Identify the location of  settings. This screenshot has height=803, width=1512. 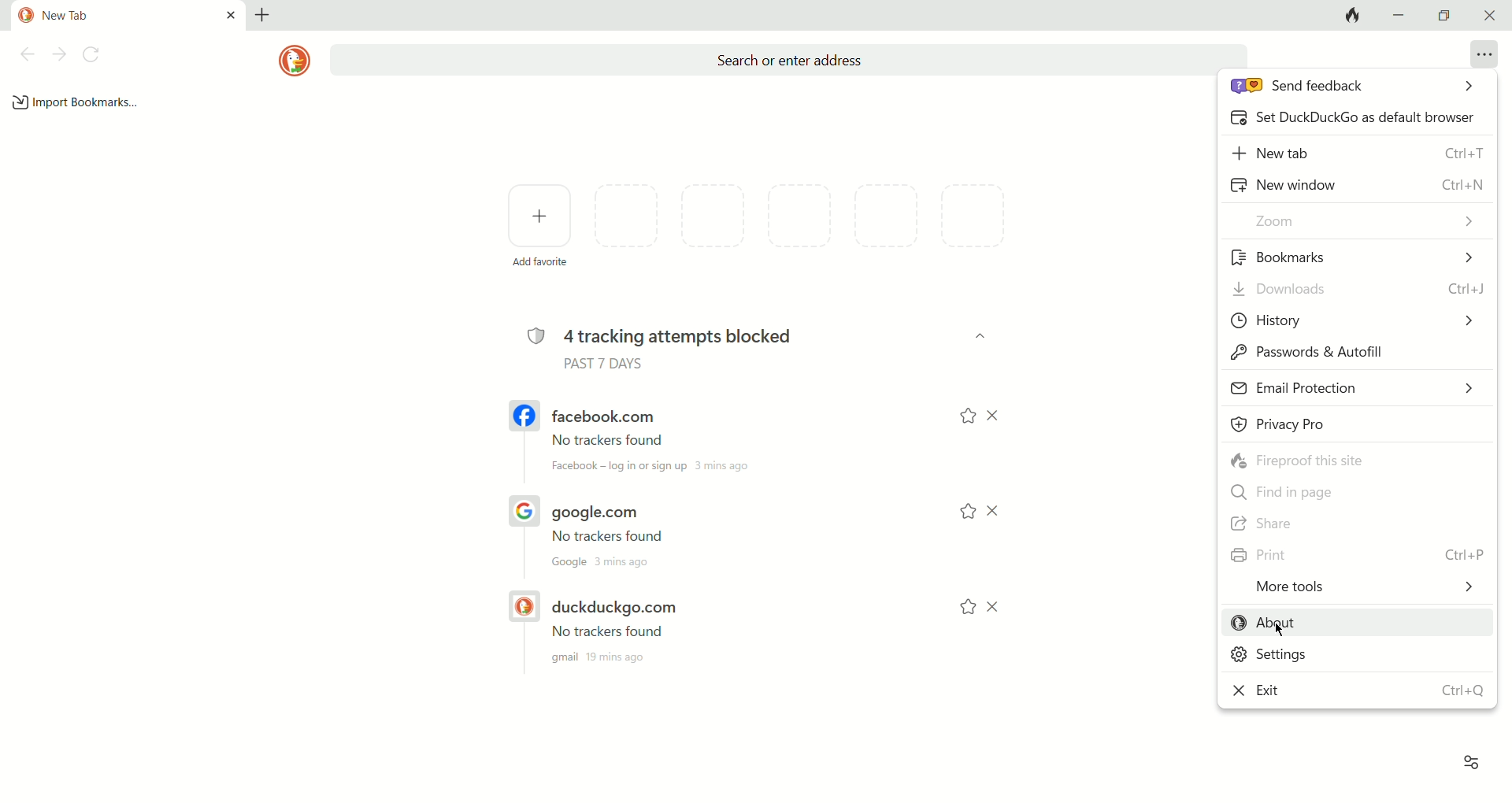
(1350, 657).